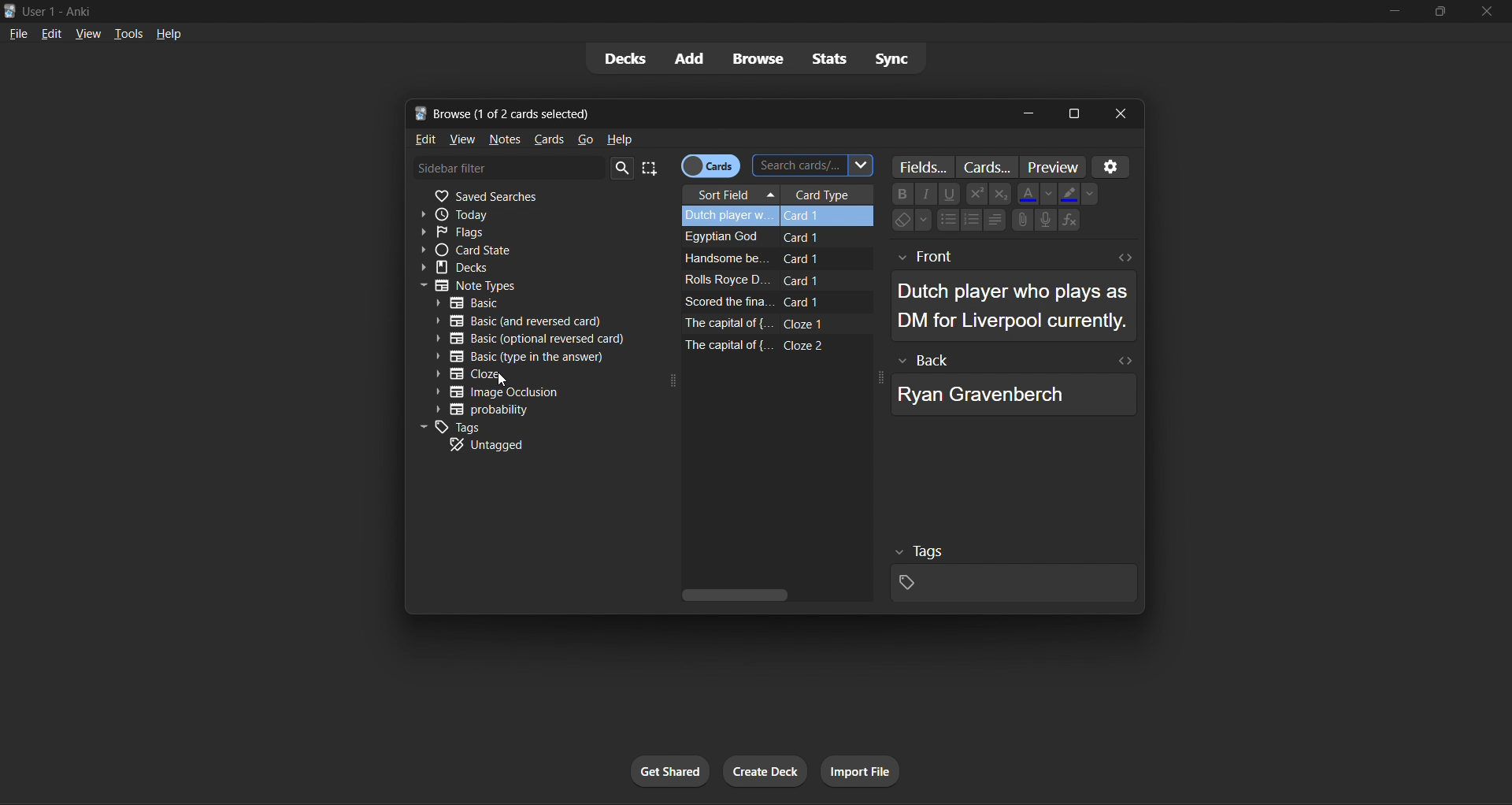 The image size is (1512, 805). What do you see at coordinates (622, 58) in the screenshot?
I see `decks` at bounding box center [622, 58].